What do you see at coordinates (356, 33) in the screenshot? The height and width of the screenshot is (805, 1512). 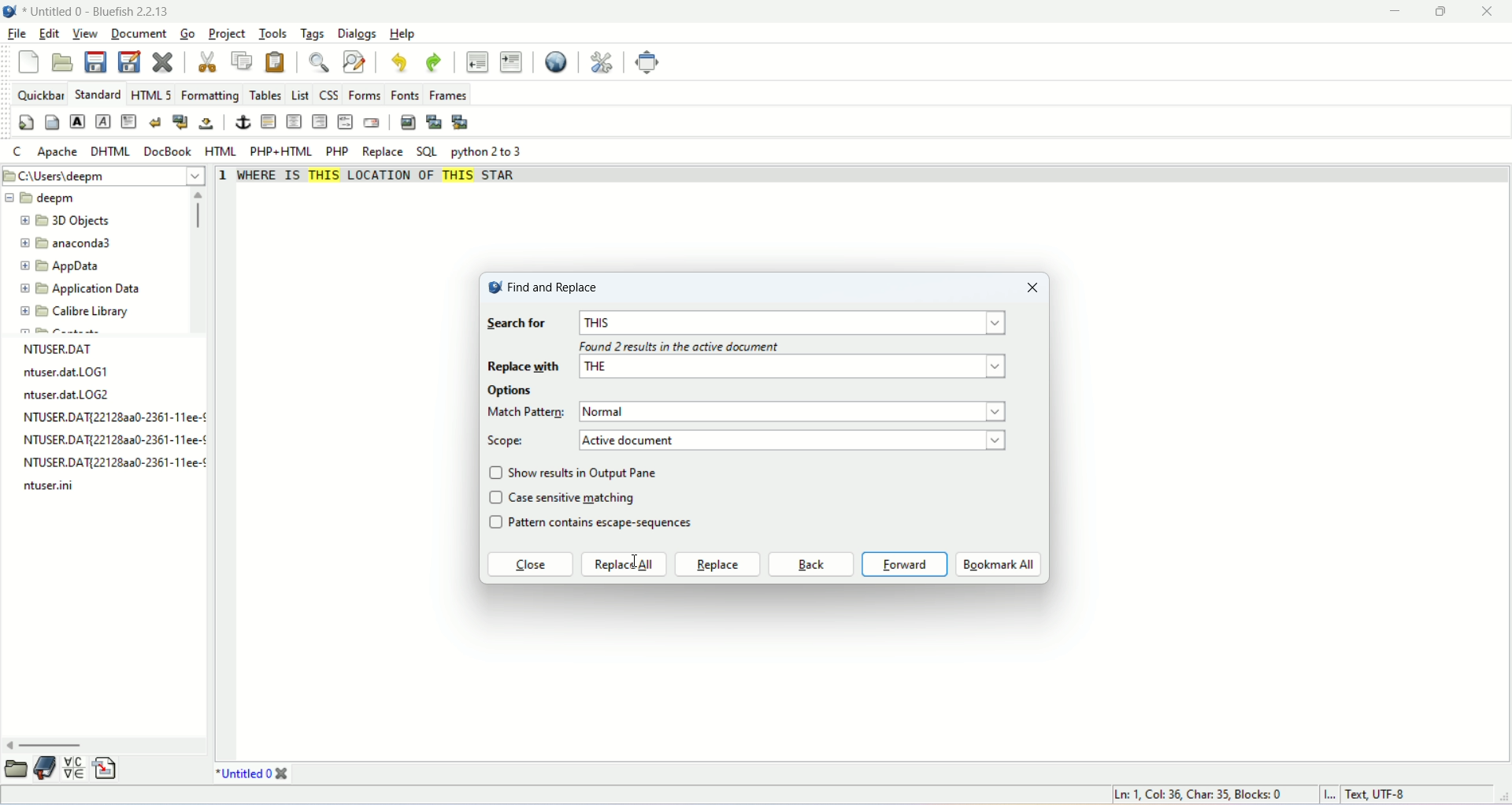 I see `dialogs` at bounding box center [356, 33].